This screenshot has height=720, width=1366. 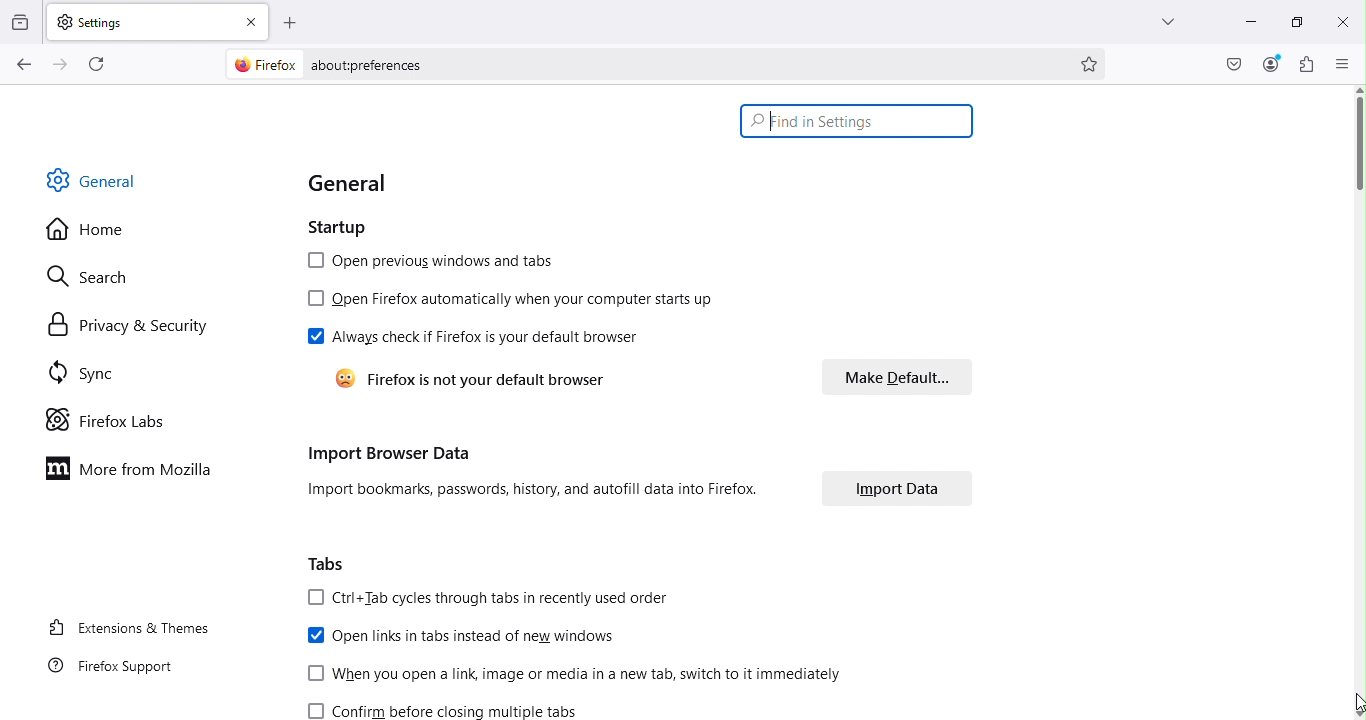 I want to click on Search bar, so click(x=860, y=121).